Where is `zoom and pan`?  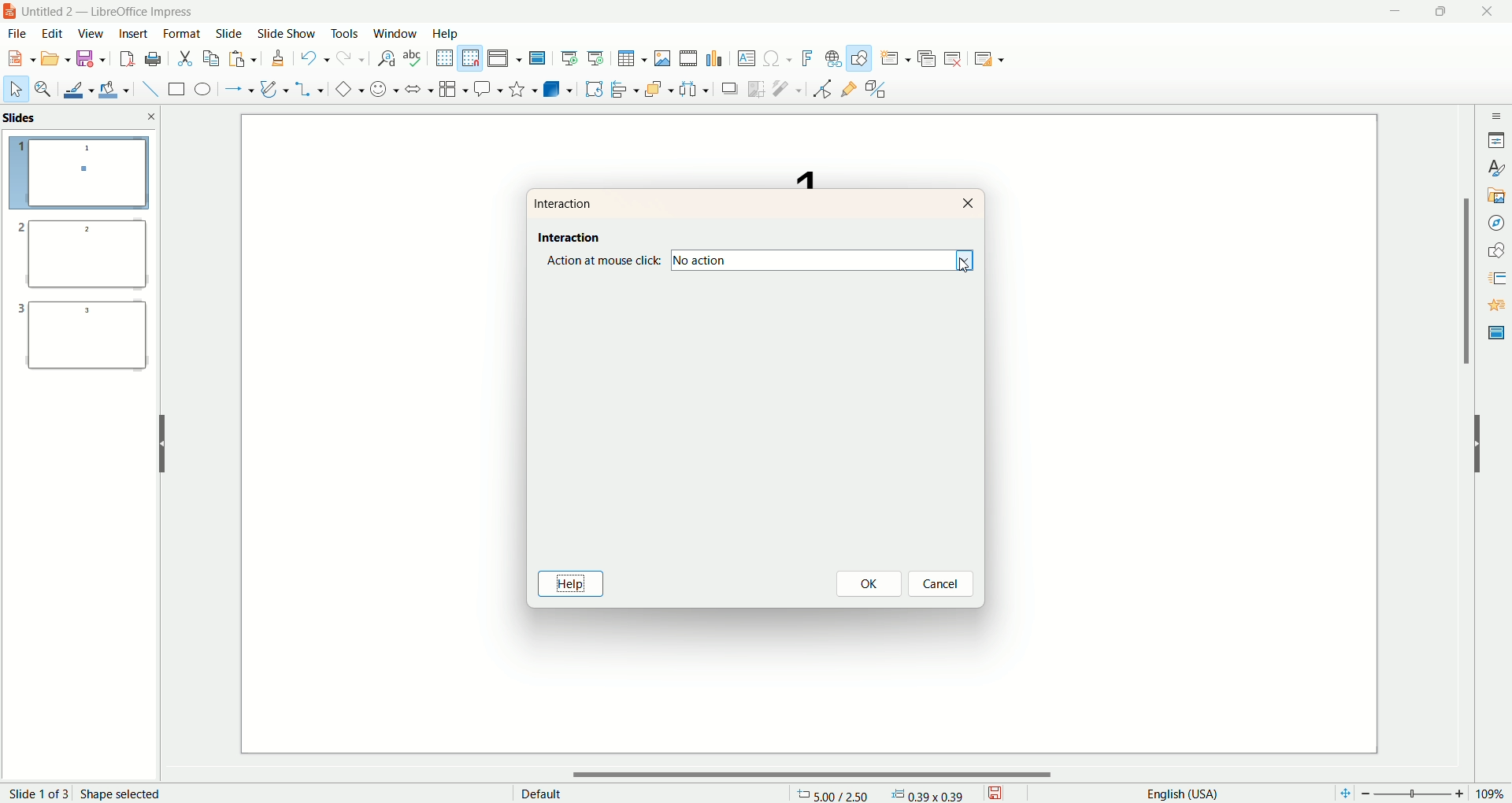 zoom and pan is located at coordinates (42, 90).